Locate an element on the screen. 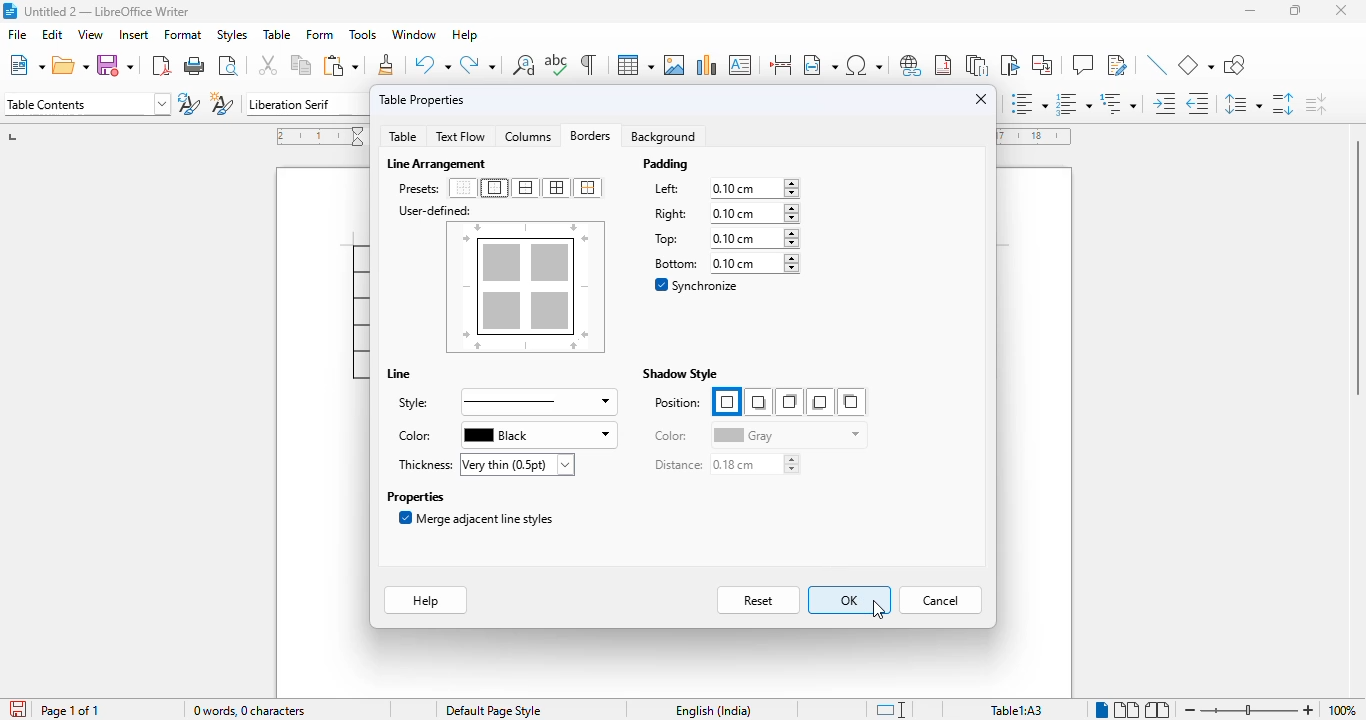 The height and width of the screenshot is (720, 1366). zoom out is located at coordinates (1191, 710).